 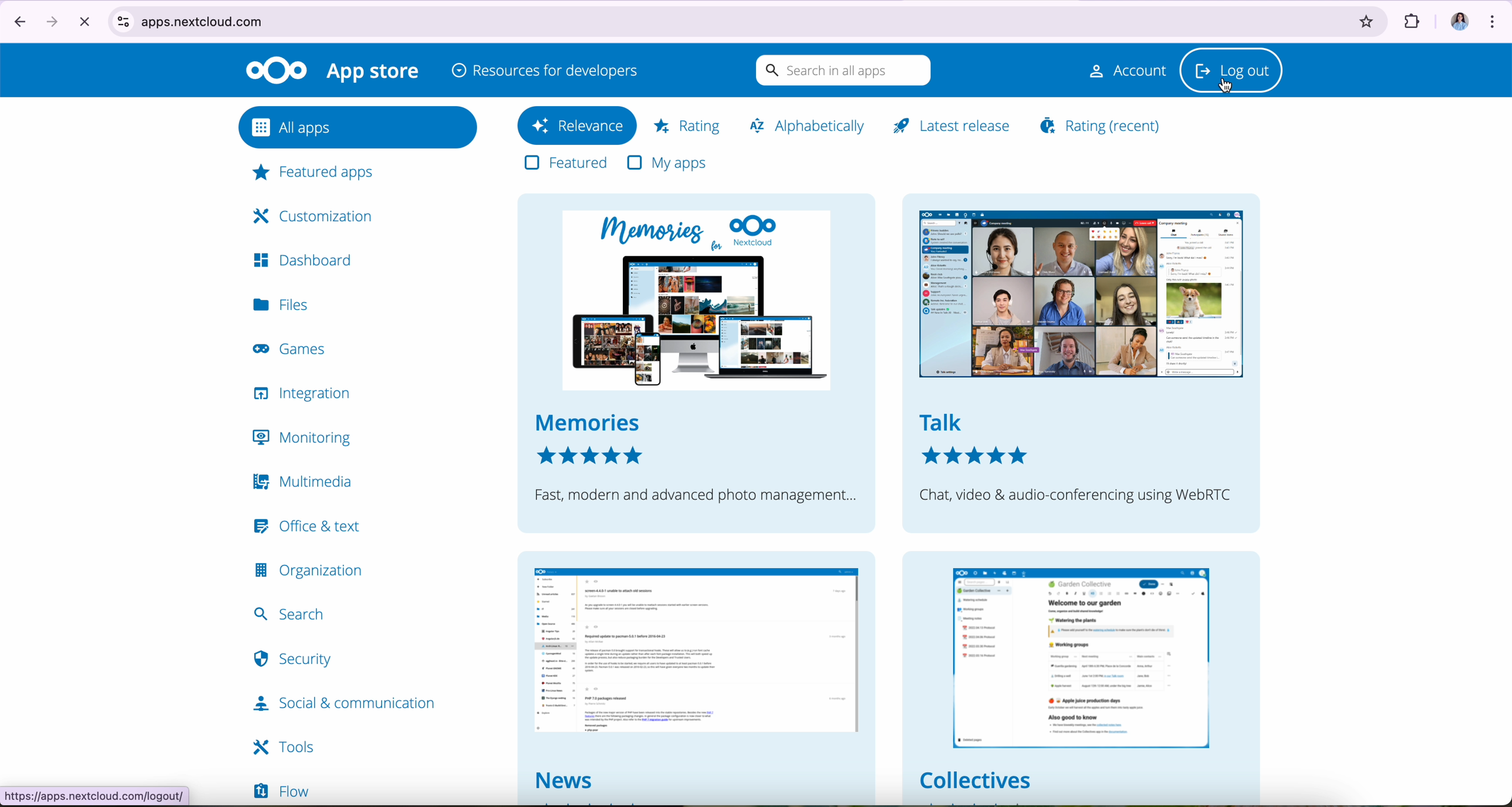 What do you see at coordinates (303, 393) in the screenshot?
I see `integration` at bounding box center [303, 393].